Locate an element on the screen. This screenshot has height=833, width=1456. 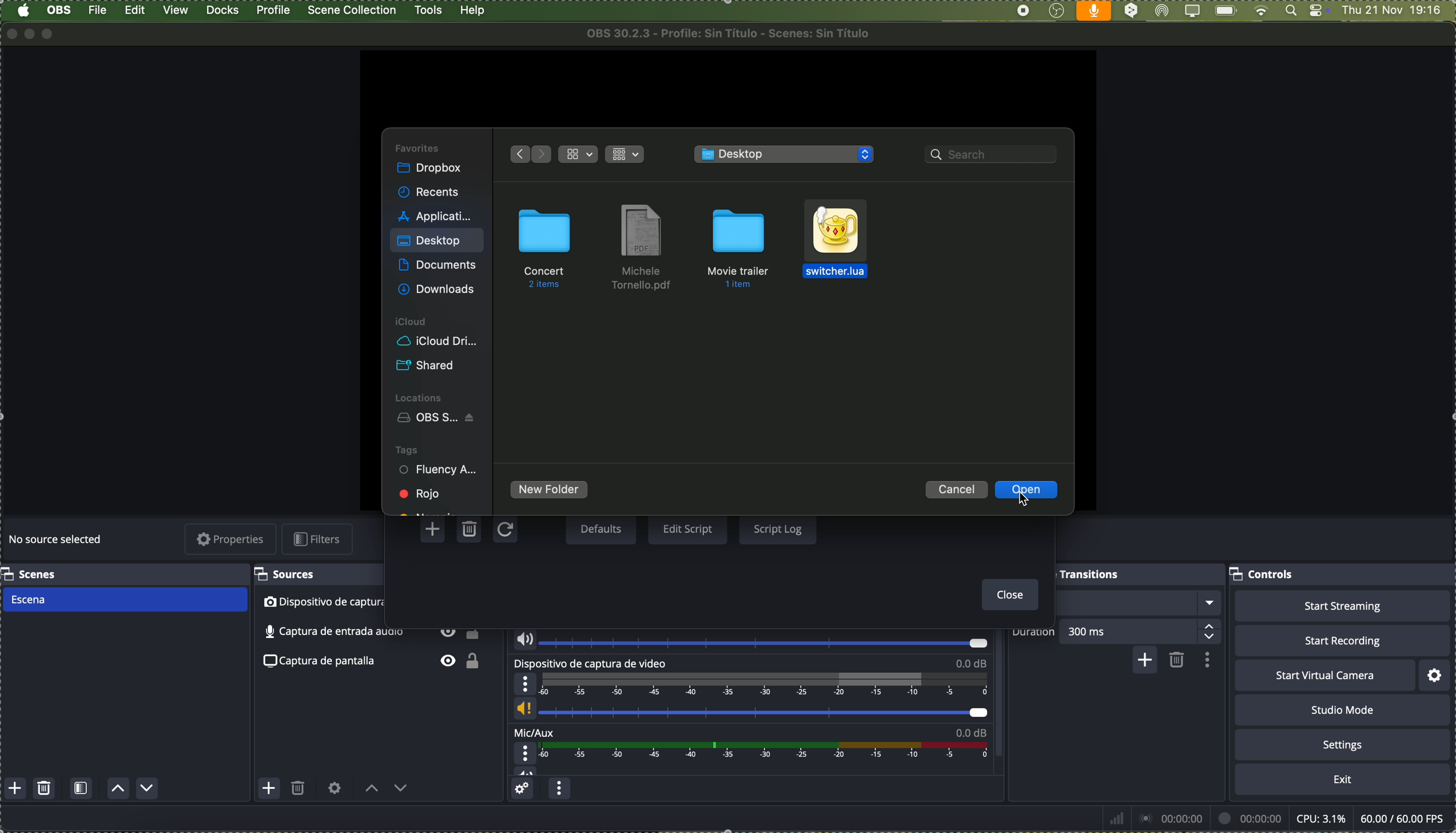
scripts is located at coordinates (786, 155).